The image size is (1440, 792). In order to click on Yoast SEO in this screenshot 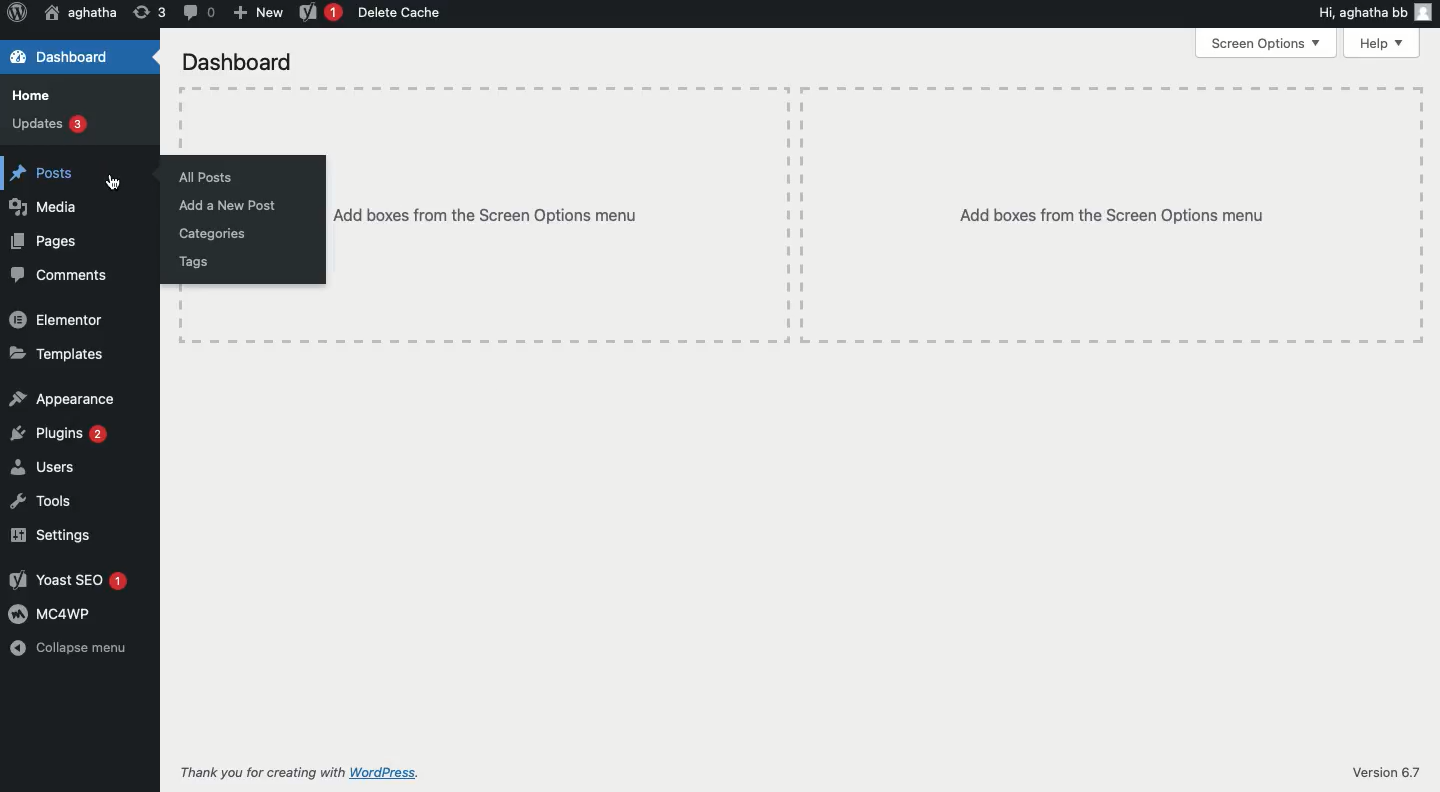, I will do `click(69, 581)`.